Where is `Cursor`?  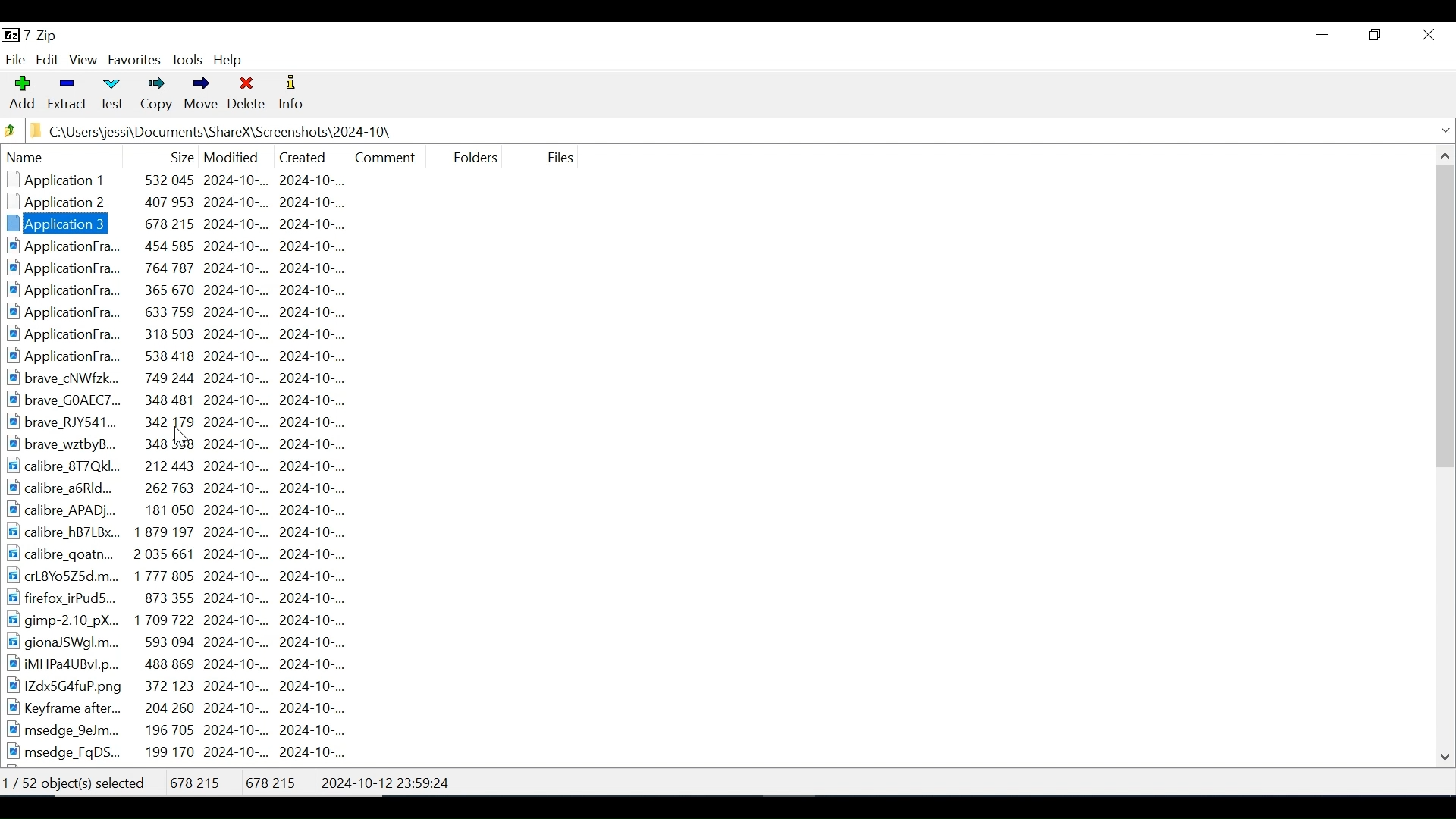
Cursor is located at coordinates (182, 438).